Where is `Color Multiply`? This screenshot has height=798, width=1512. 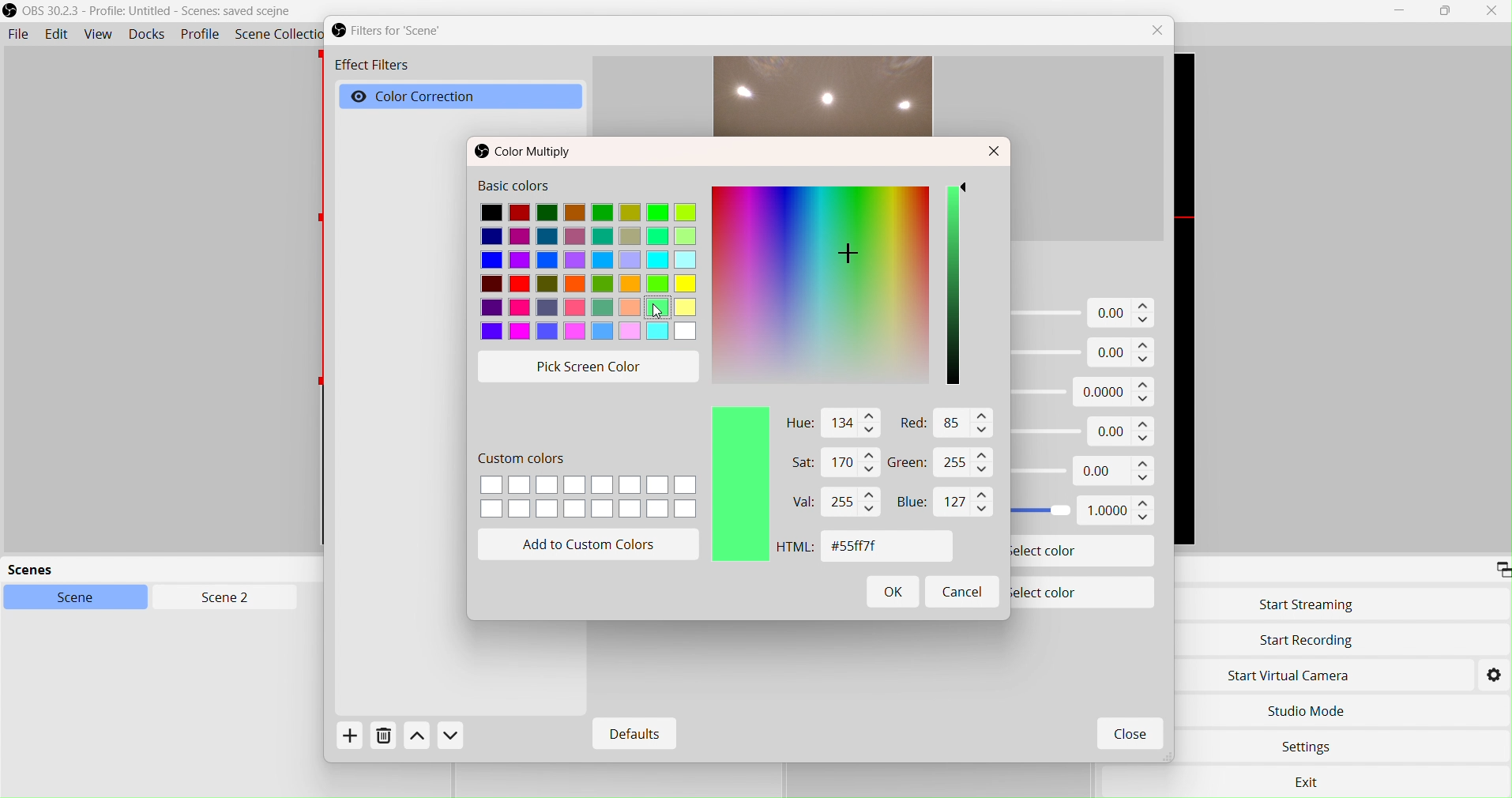
Color Multiply is located at coordinates (529, 152).